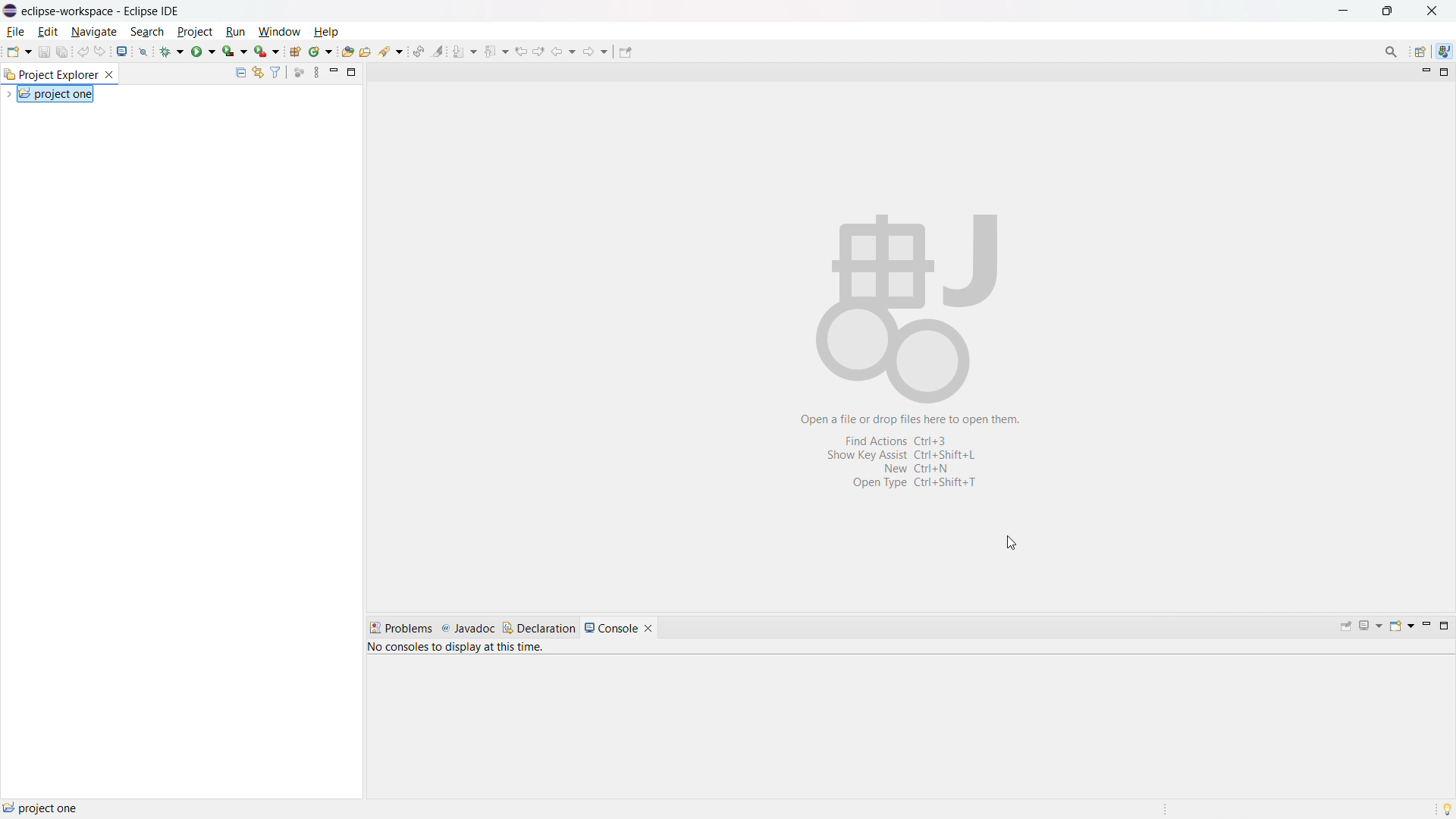 The image size is (1456, 819). I want to click on minimize, so click(1425, 626).